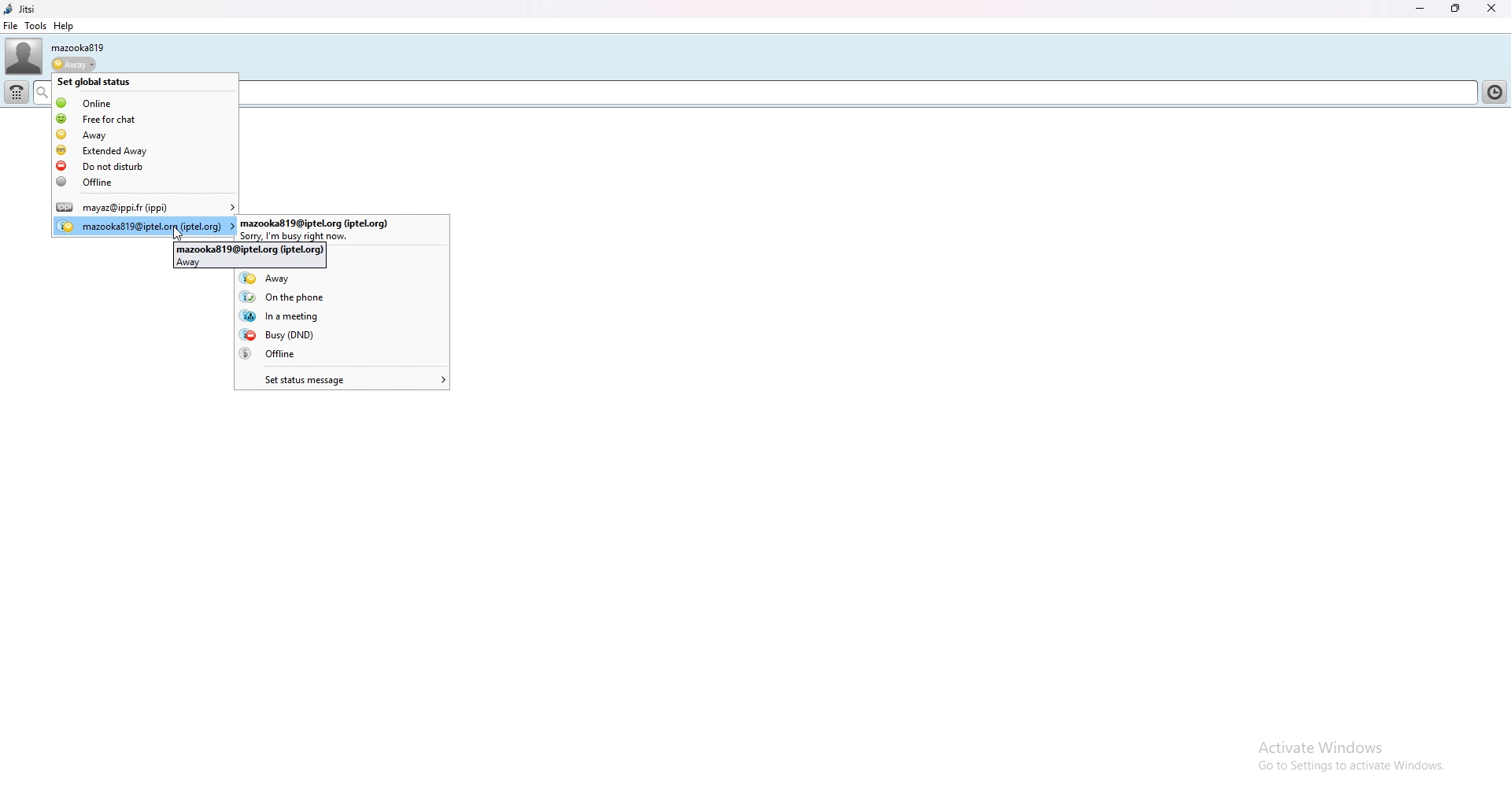 The width and height of the screenshot is (1511, 812). Describe the element at coordinates (1457, 8) in the screenshot. I see `resize` at that location.